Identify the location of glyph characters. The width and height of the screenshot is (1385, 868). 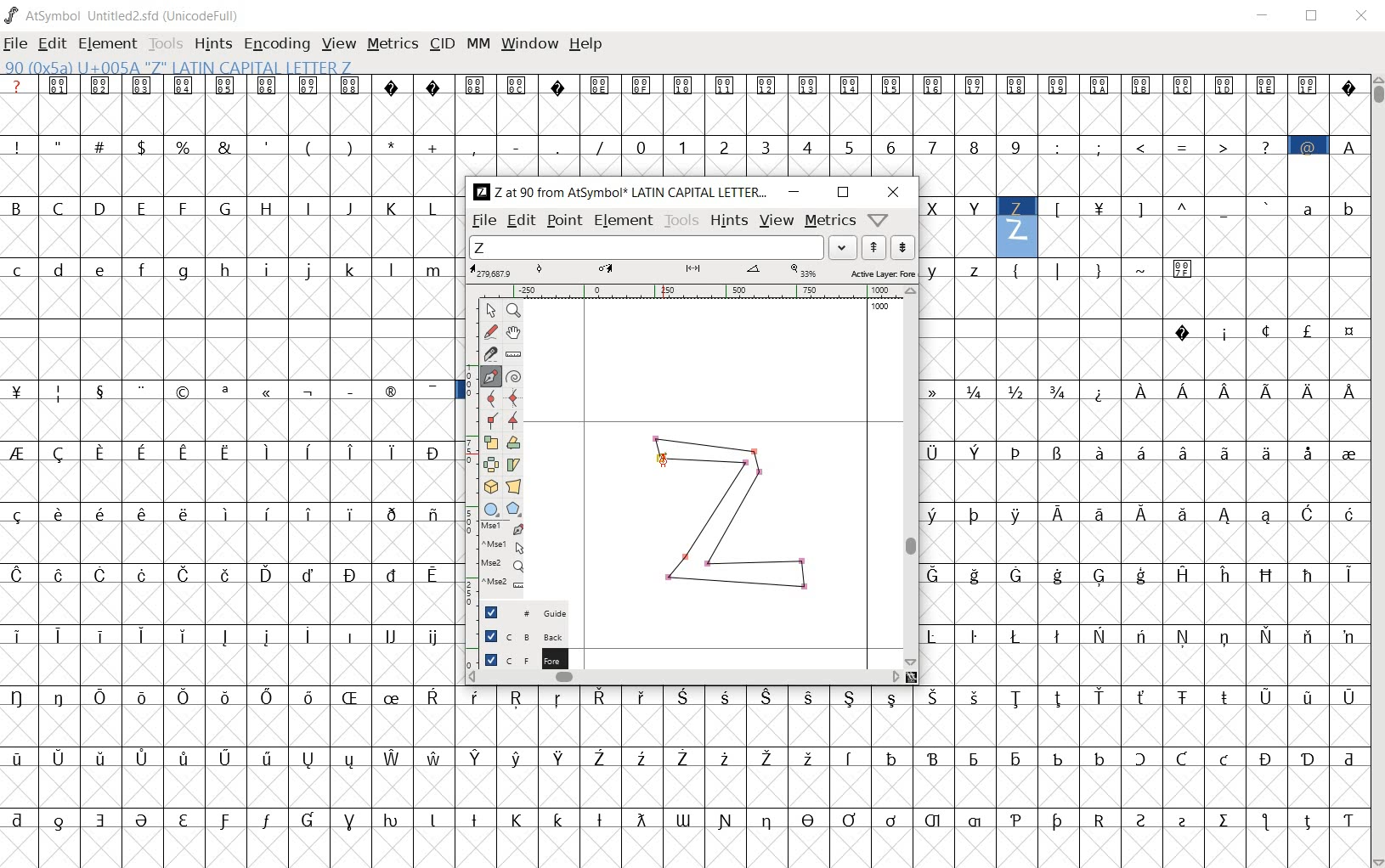
(1144, 471).